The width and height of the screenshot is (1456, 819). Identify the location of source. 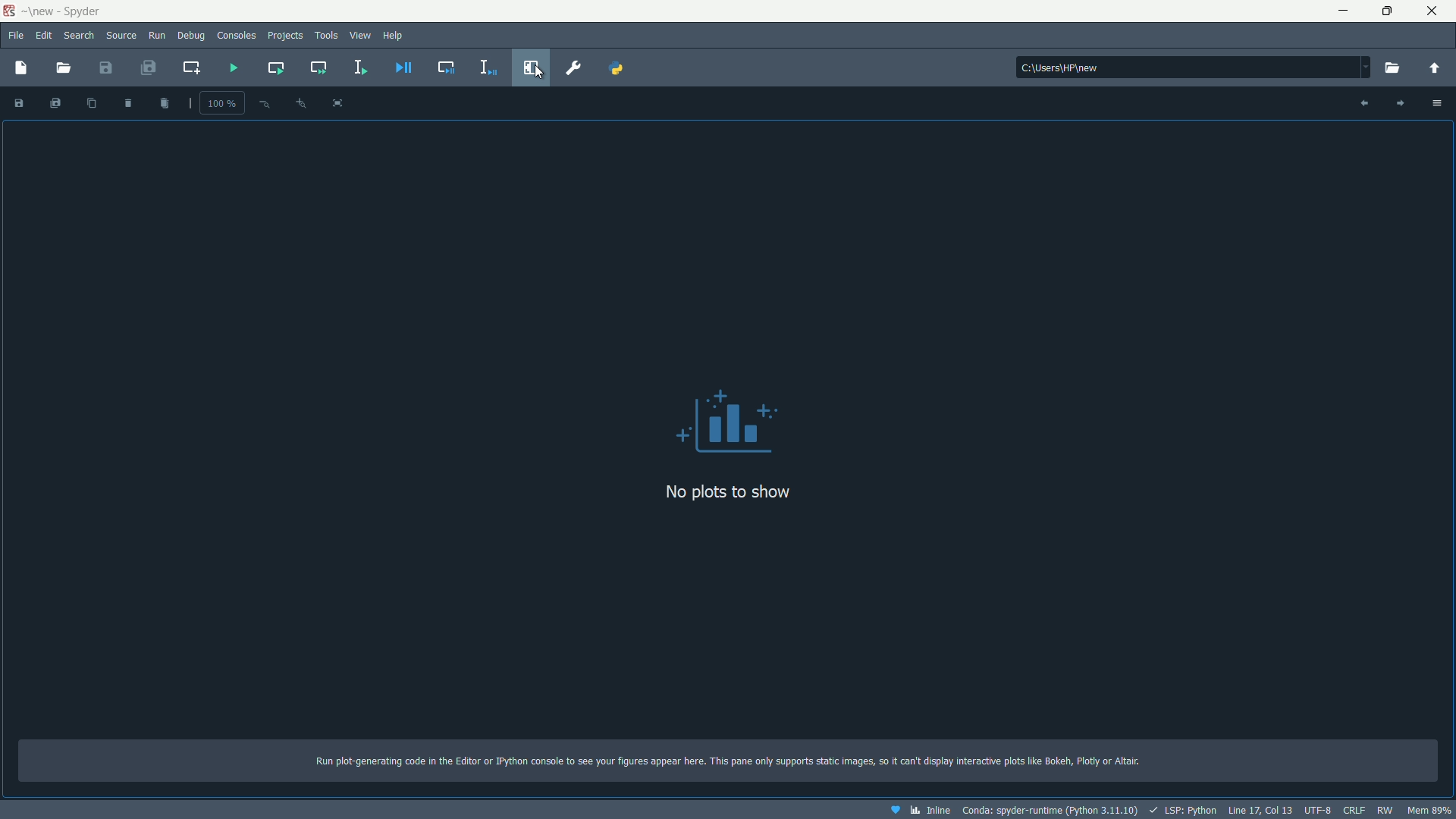
(121, 34).